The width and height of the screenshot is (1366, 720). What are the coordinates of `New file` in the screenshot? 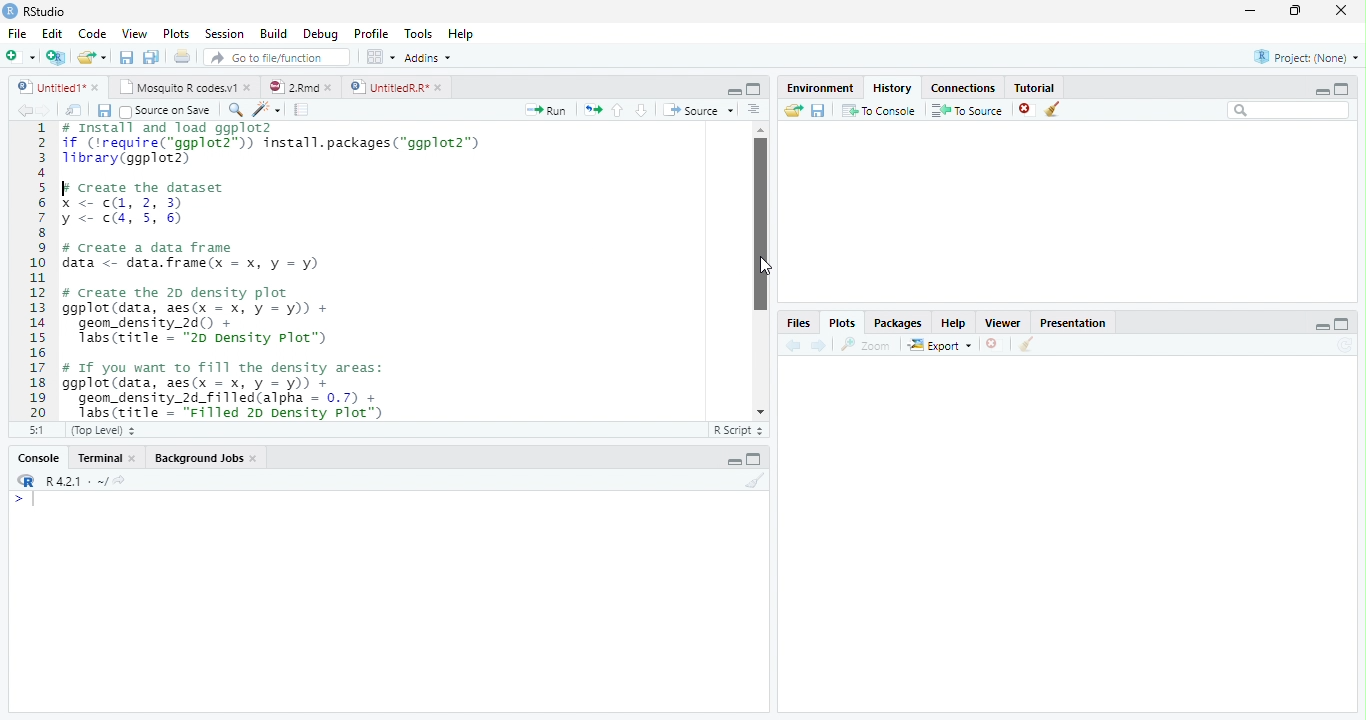 It's located at (20, 57).